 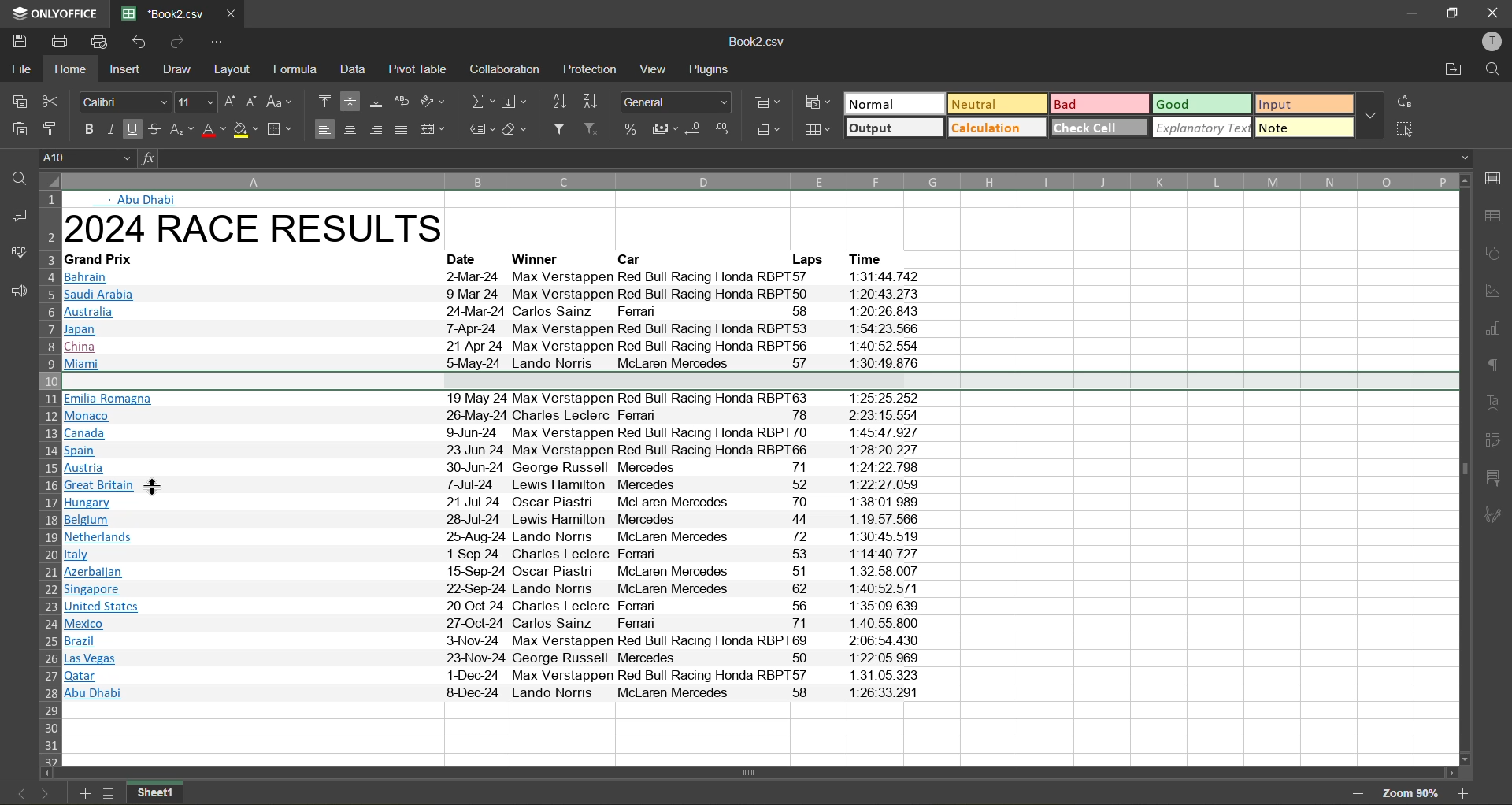 I want to click on check cell, so click(x=1099, y=127).